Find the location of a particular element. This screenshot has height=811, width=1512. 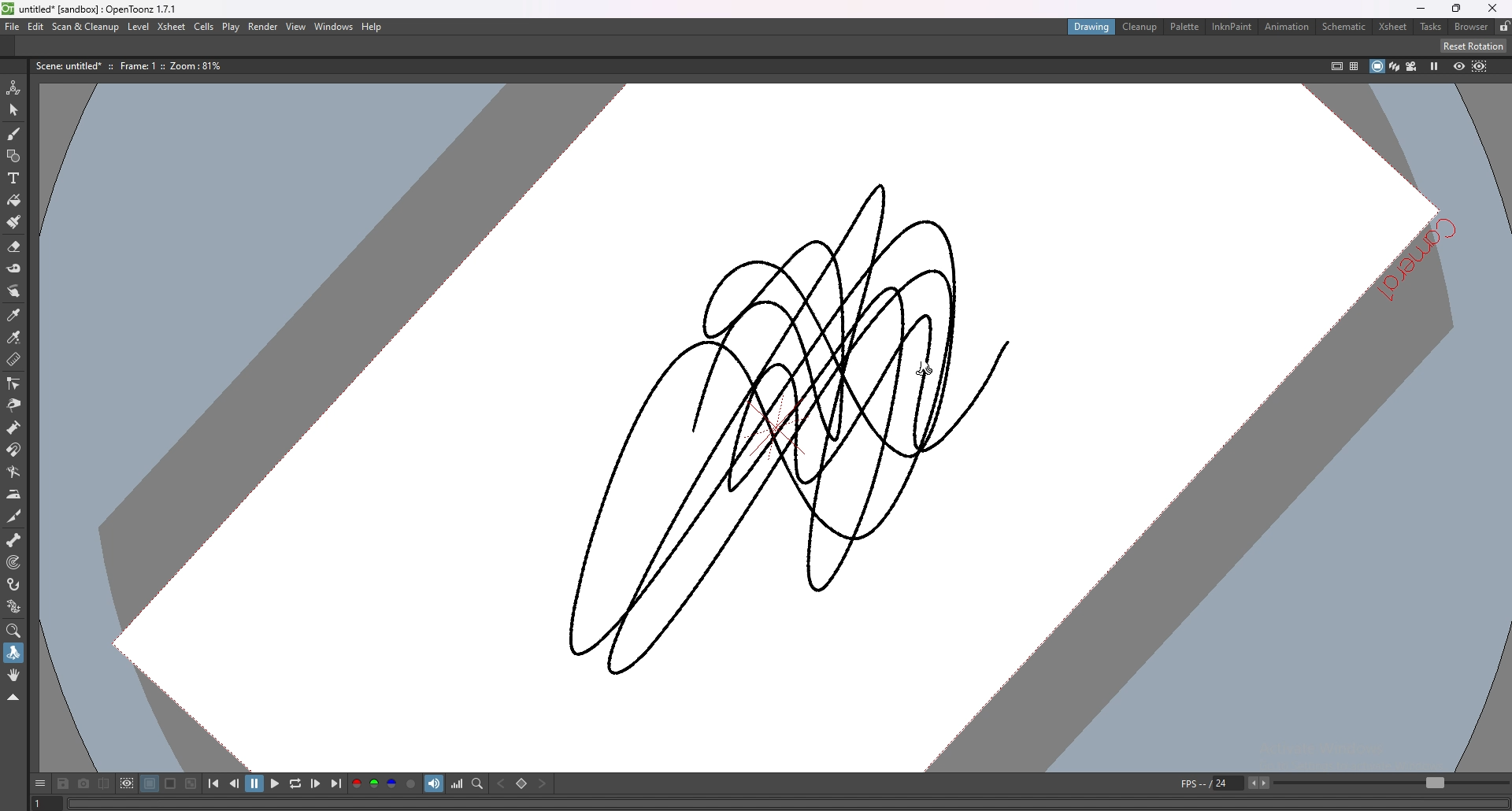

level is located at coordinates (139, 26).